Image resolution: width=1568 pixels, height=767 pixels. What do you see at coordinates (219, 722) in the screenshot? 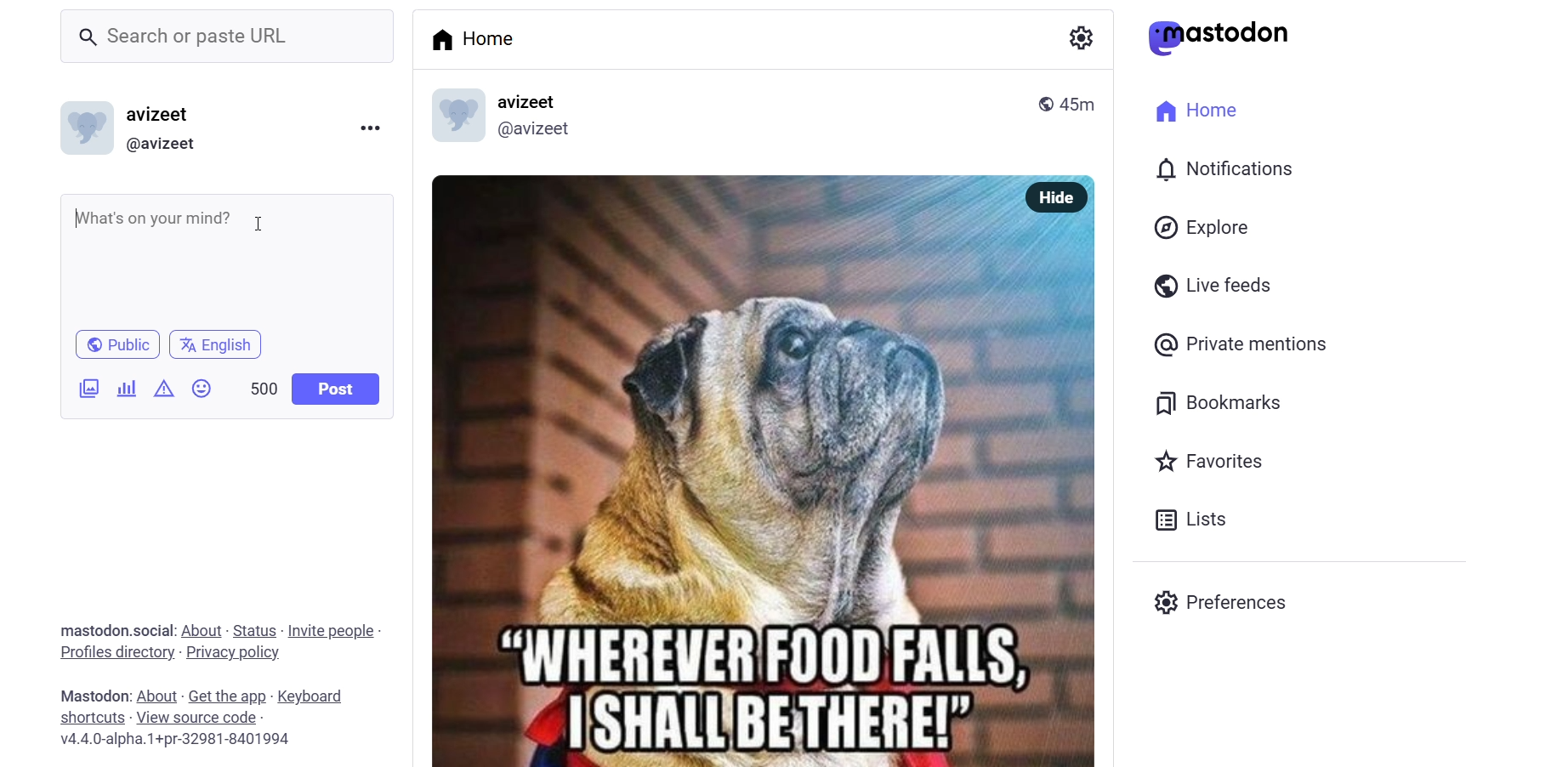
I see `Mastodon: About - Get the app - Keyboard
shortcuts - View source code
v4.4.0-alpha.1+pr-32981-8401994` at bounding box center [219, 722].